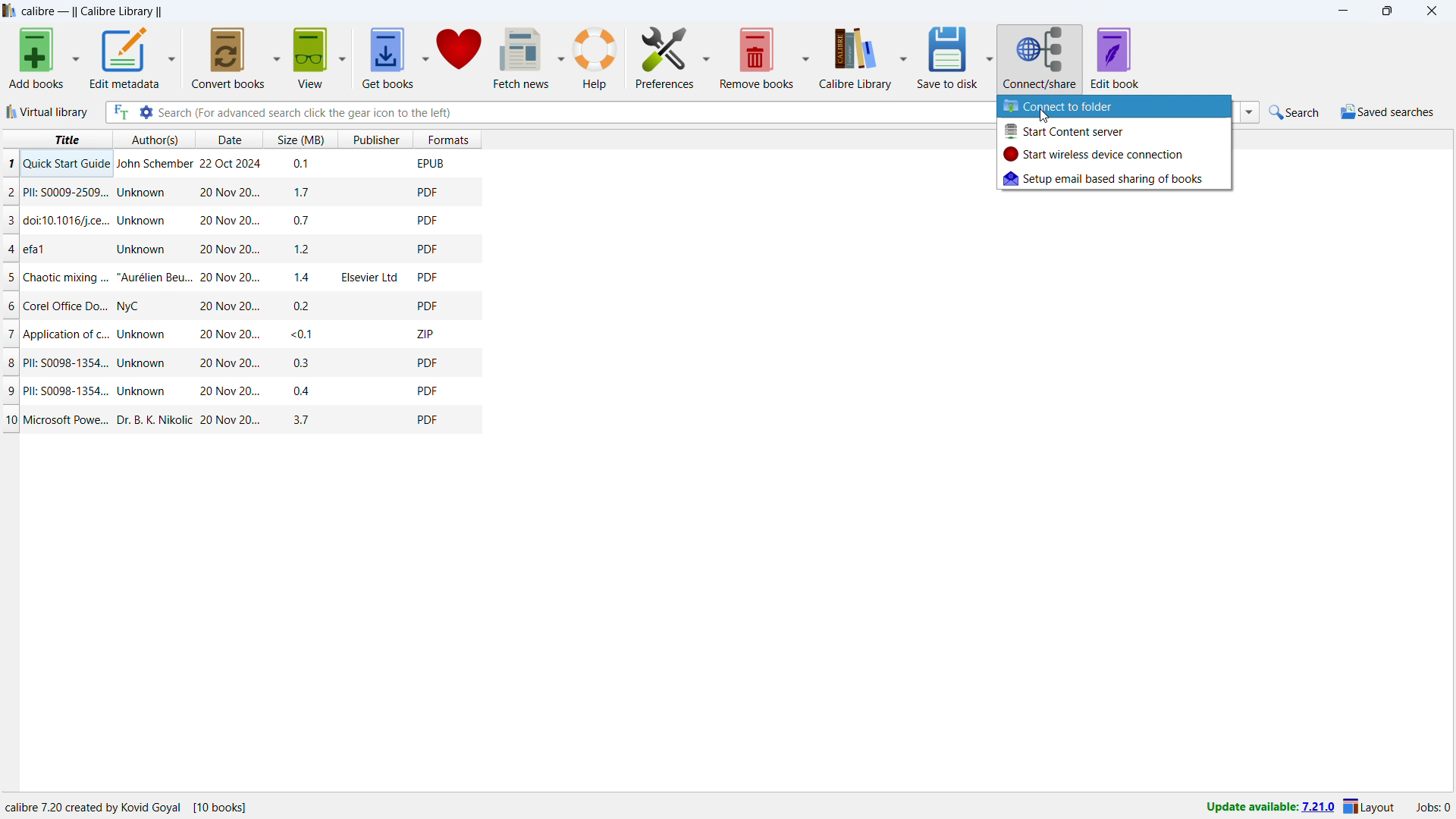  Describe the element at coordinates (37, 58) in the screenshot. I see `add books` at that location.